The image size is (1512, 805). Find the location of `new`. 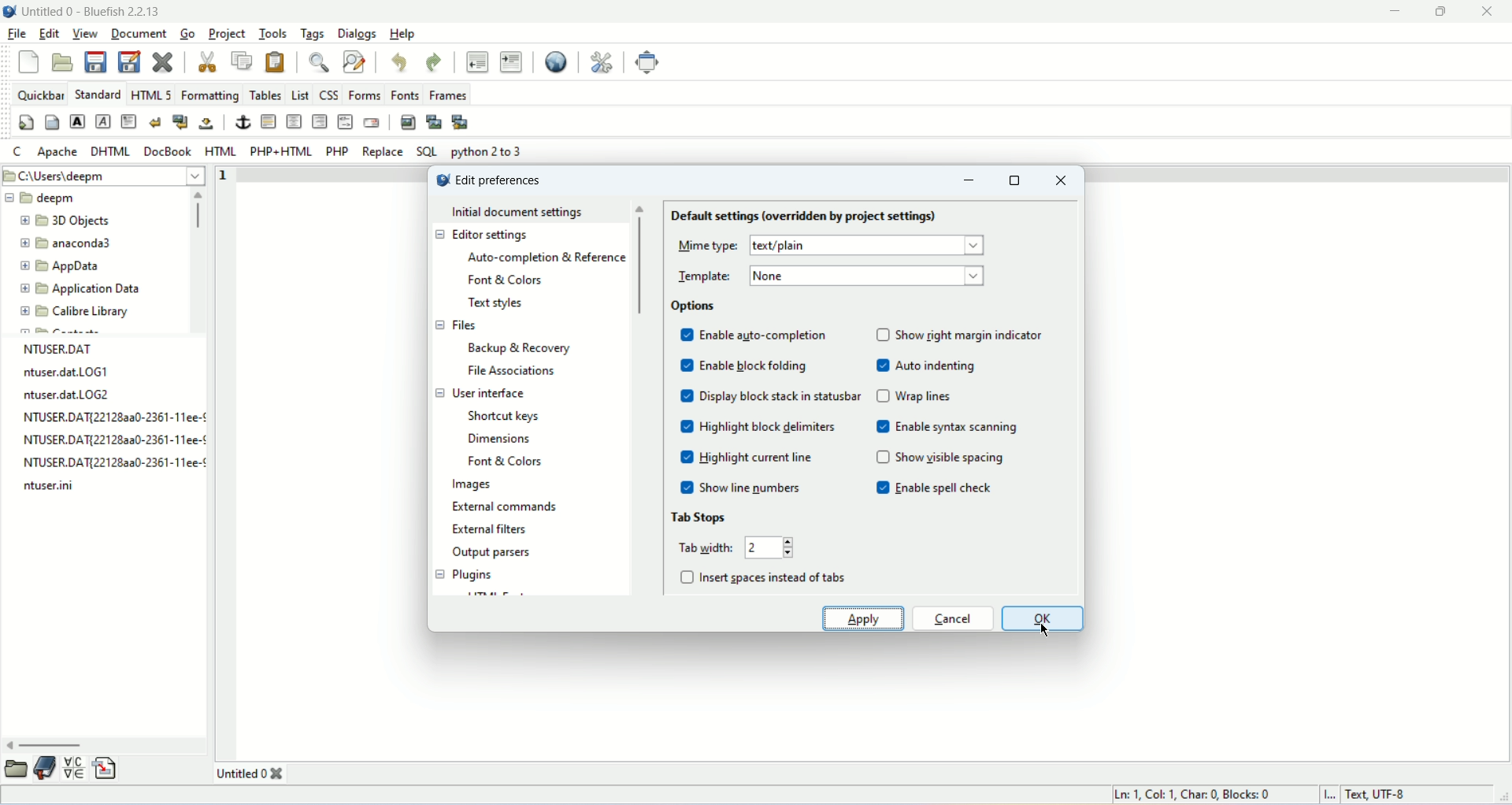

new is located at coordinates (28, 62).